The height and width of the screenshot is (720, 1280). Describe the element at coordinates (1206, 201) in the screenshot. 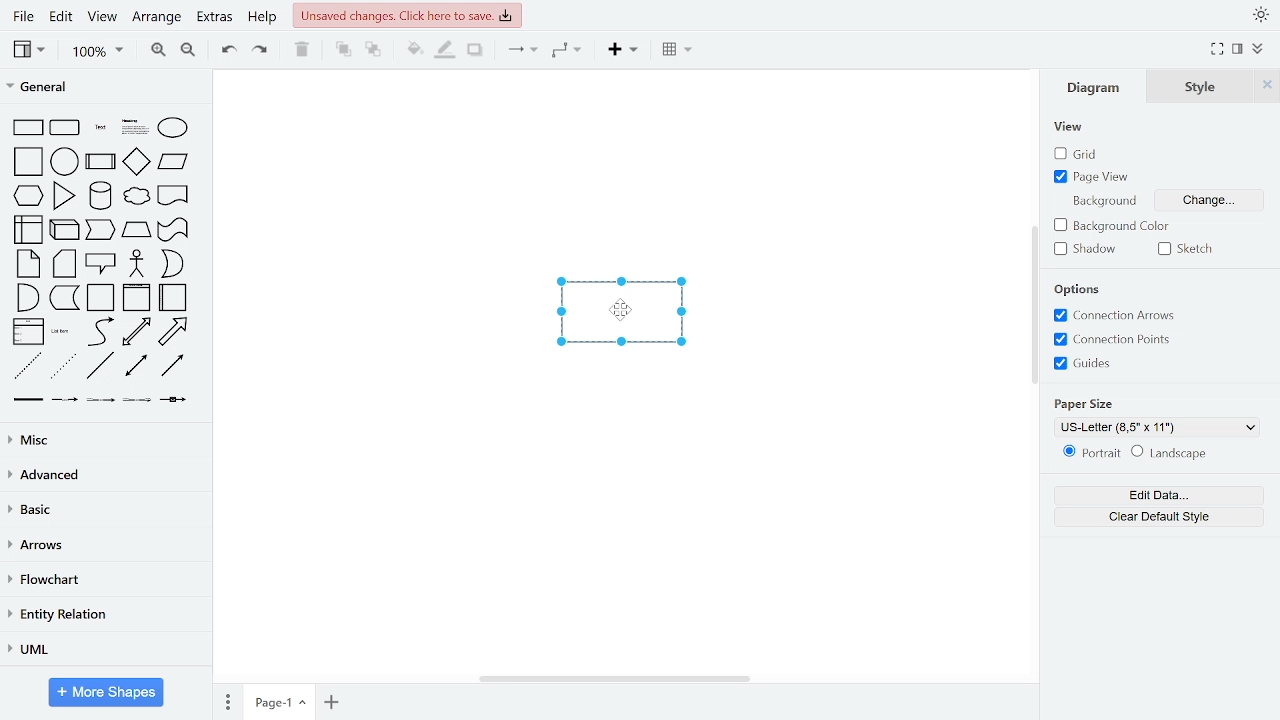

I see `change background` at that location.